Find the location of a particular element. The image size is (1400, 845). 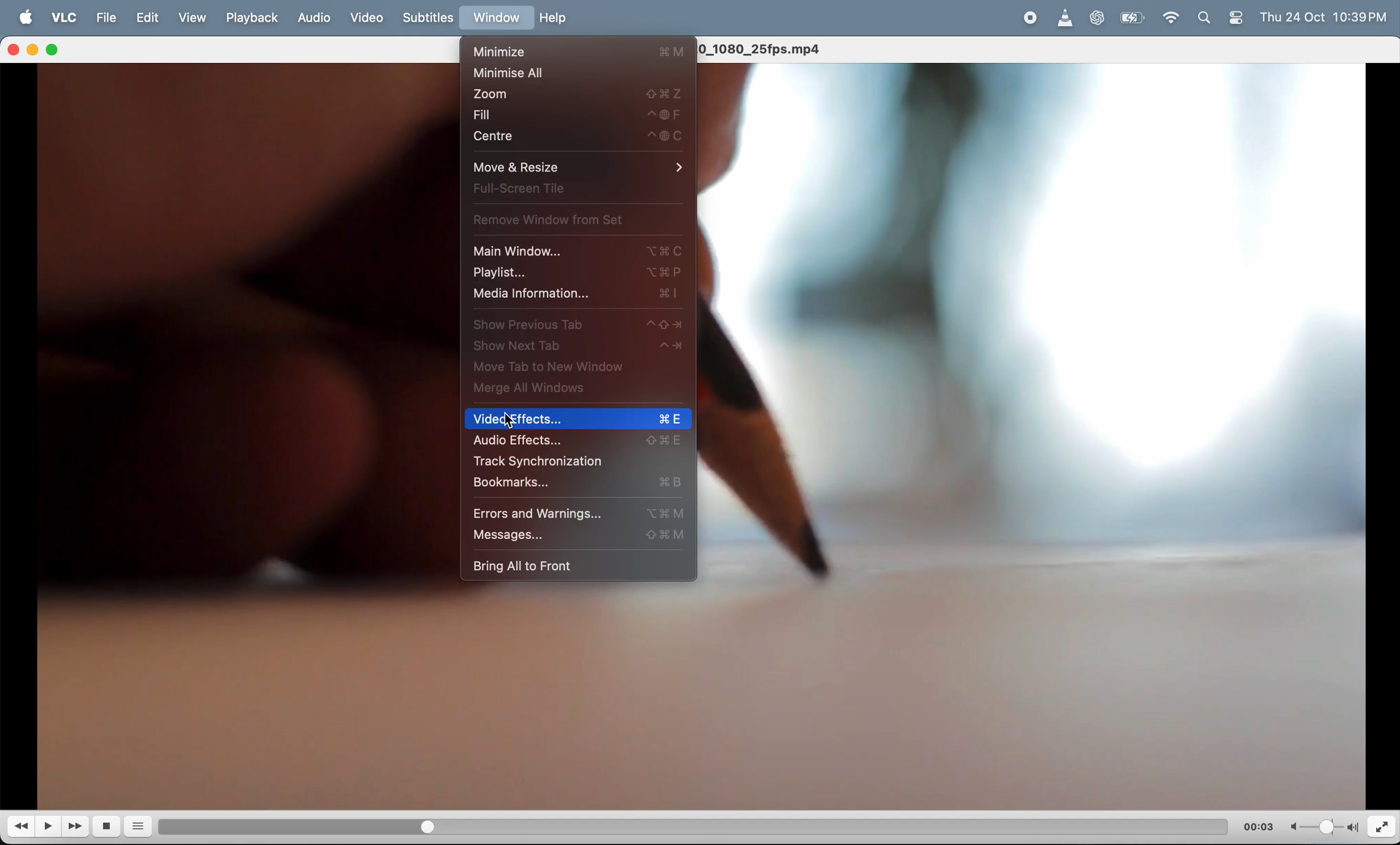

maximize is located at coordinates (58, 50).